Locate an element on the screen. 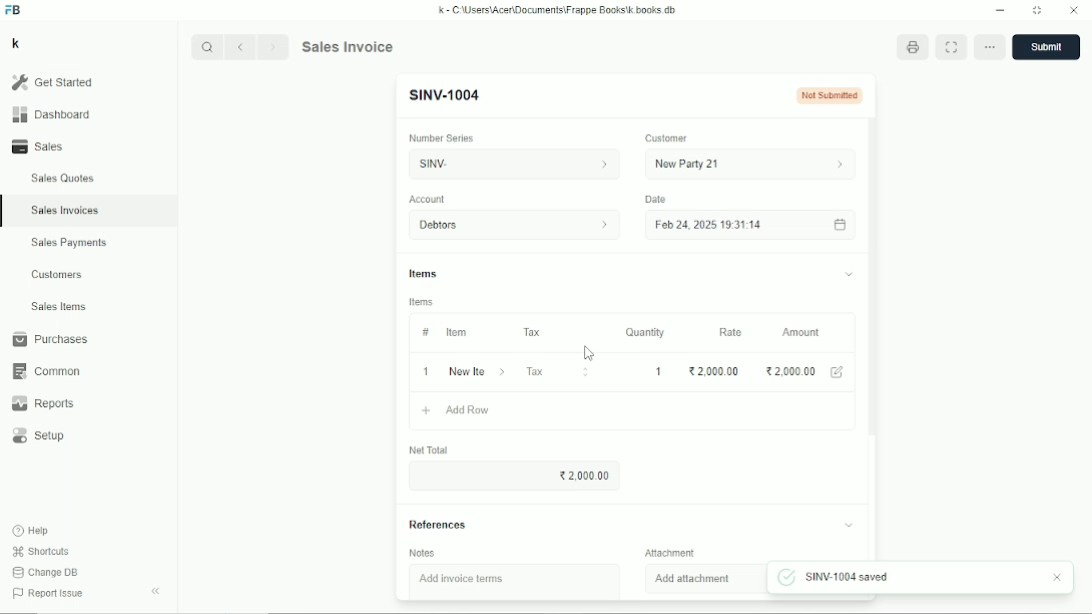 The width and height of the screenshot is (1092, 614). Close notification is located at coordinates (1058, 578).